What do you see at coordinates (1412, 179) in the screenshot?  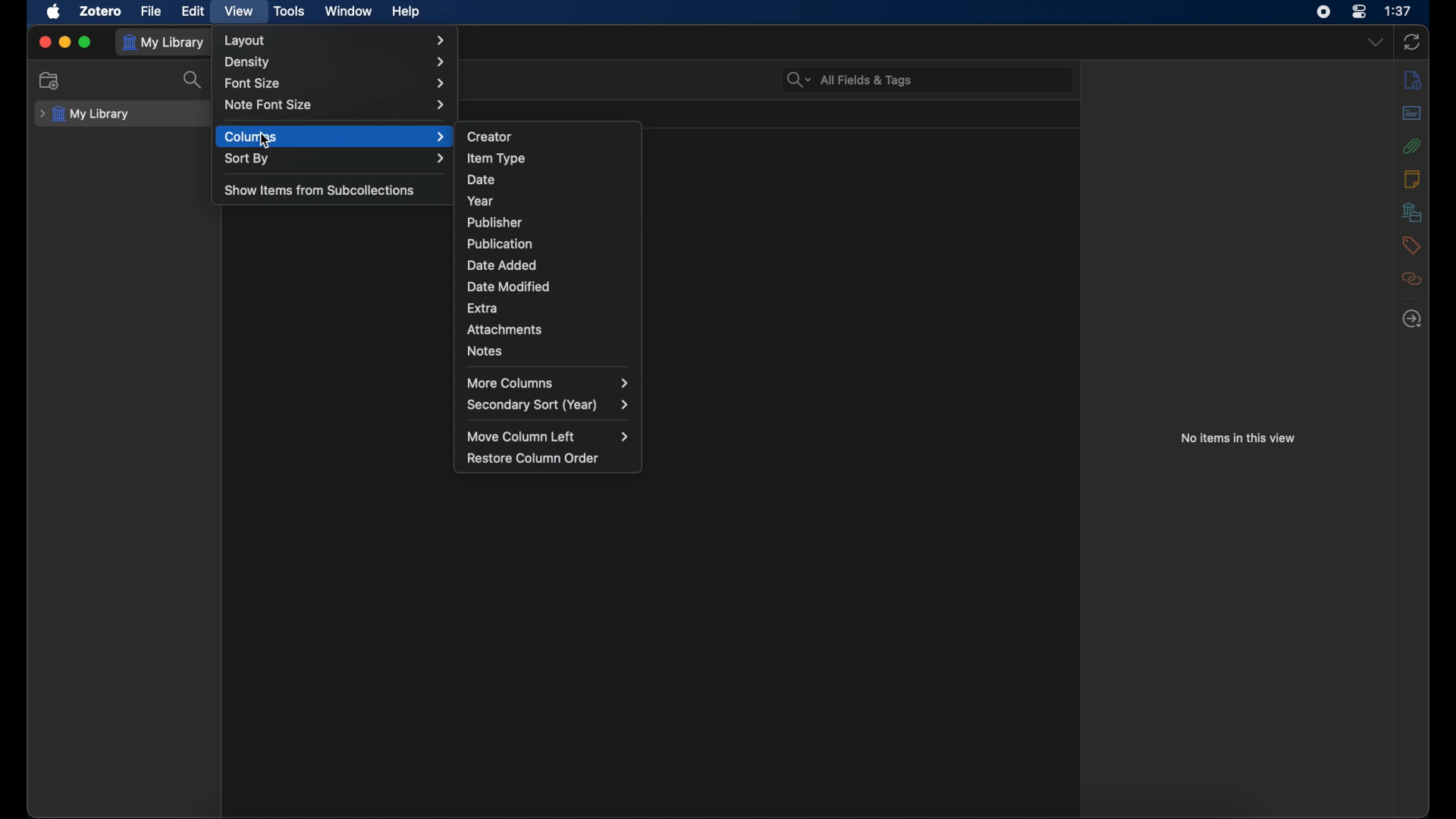 I see `notes` at bounding box center [1412, 179].